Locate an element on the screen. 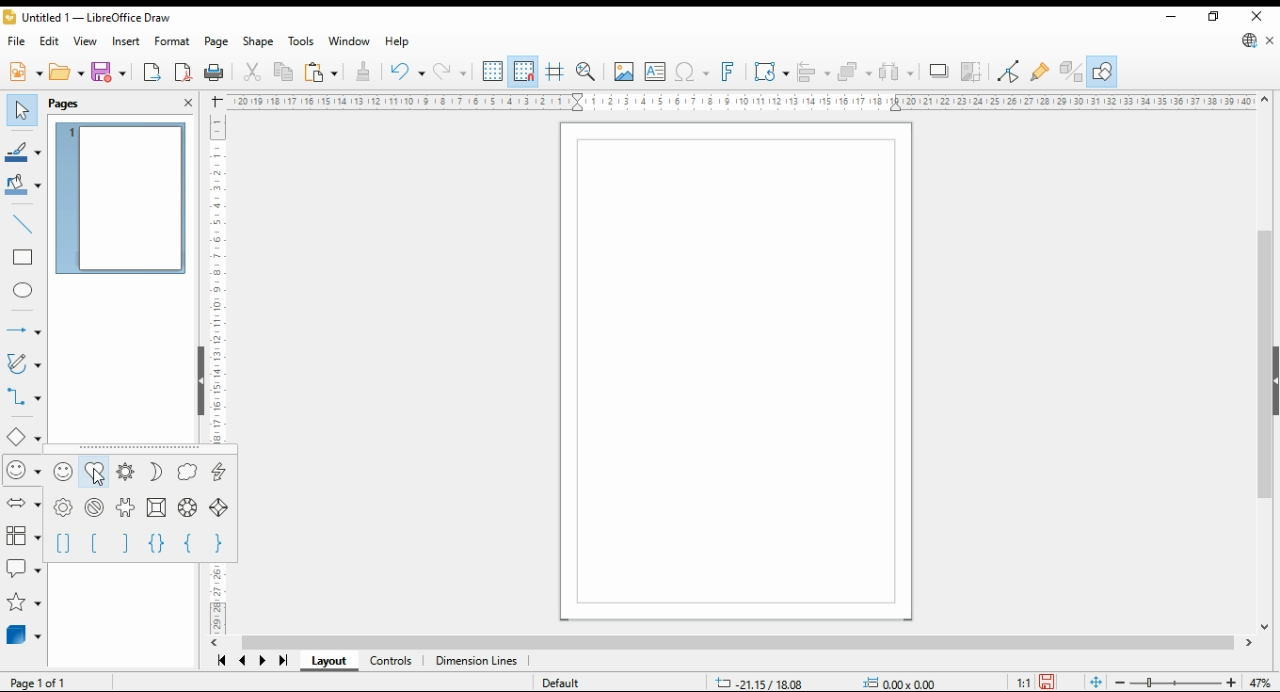  layout is located at coordinates (326, 662).